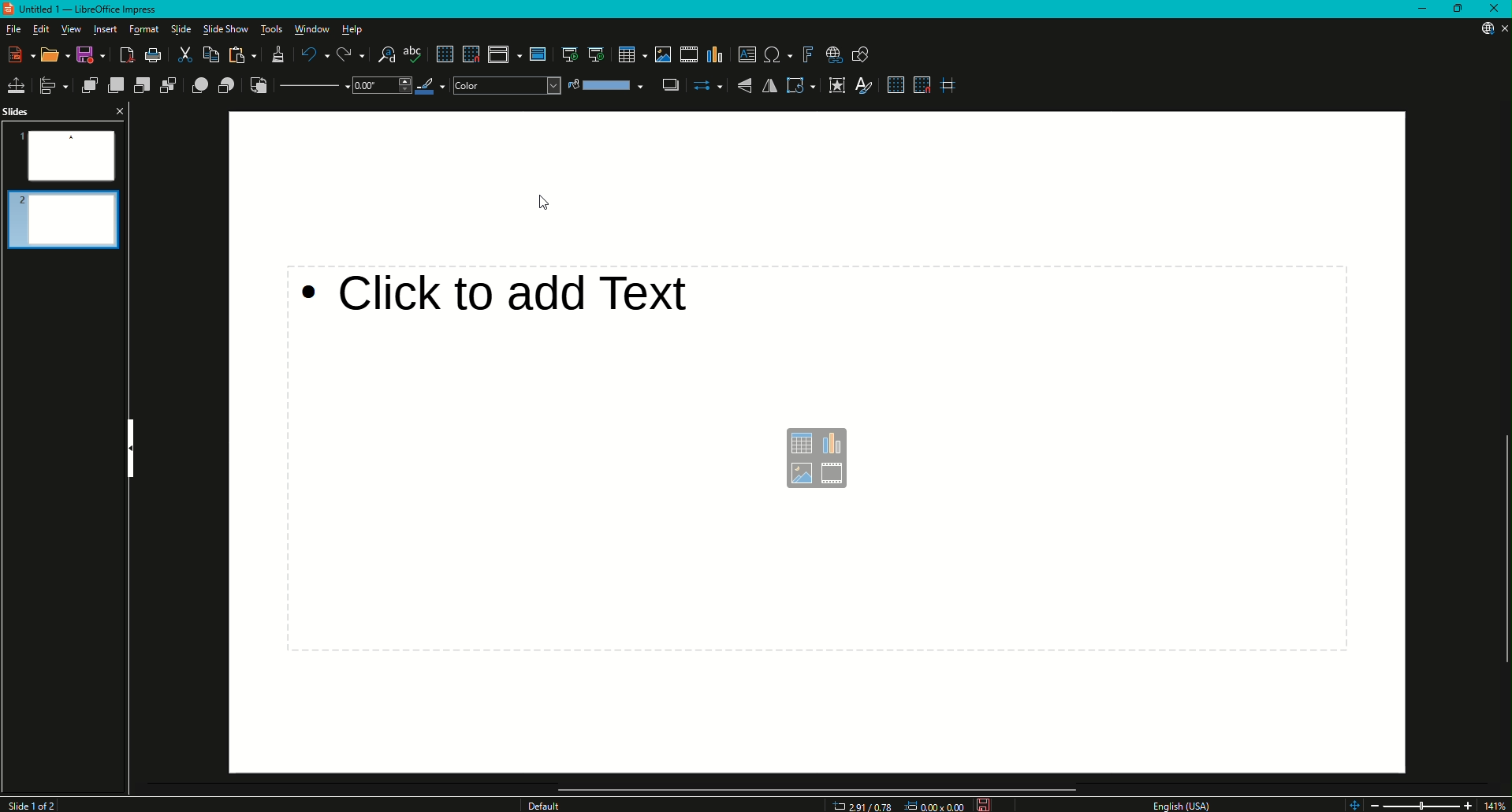 The height and width of the screenshot is (812, 1512). Describe the element at coordinates (897, 806) in the screenshot. I see `Dimensions` at that location.